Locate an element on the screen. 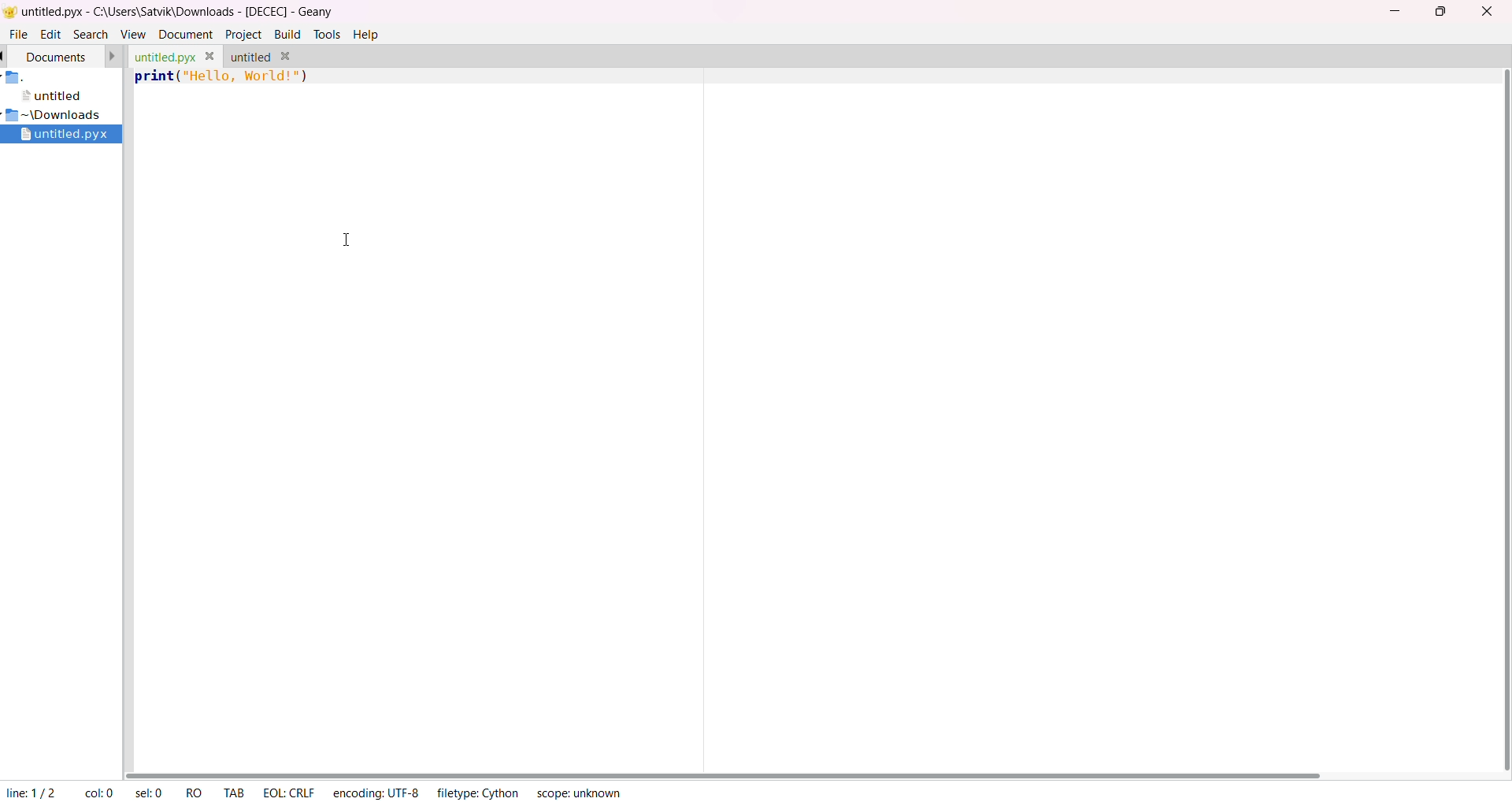  cursor is located at coordinates (339, 237).